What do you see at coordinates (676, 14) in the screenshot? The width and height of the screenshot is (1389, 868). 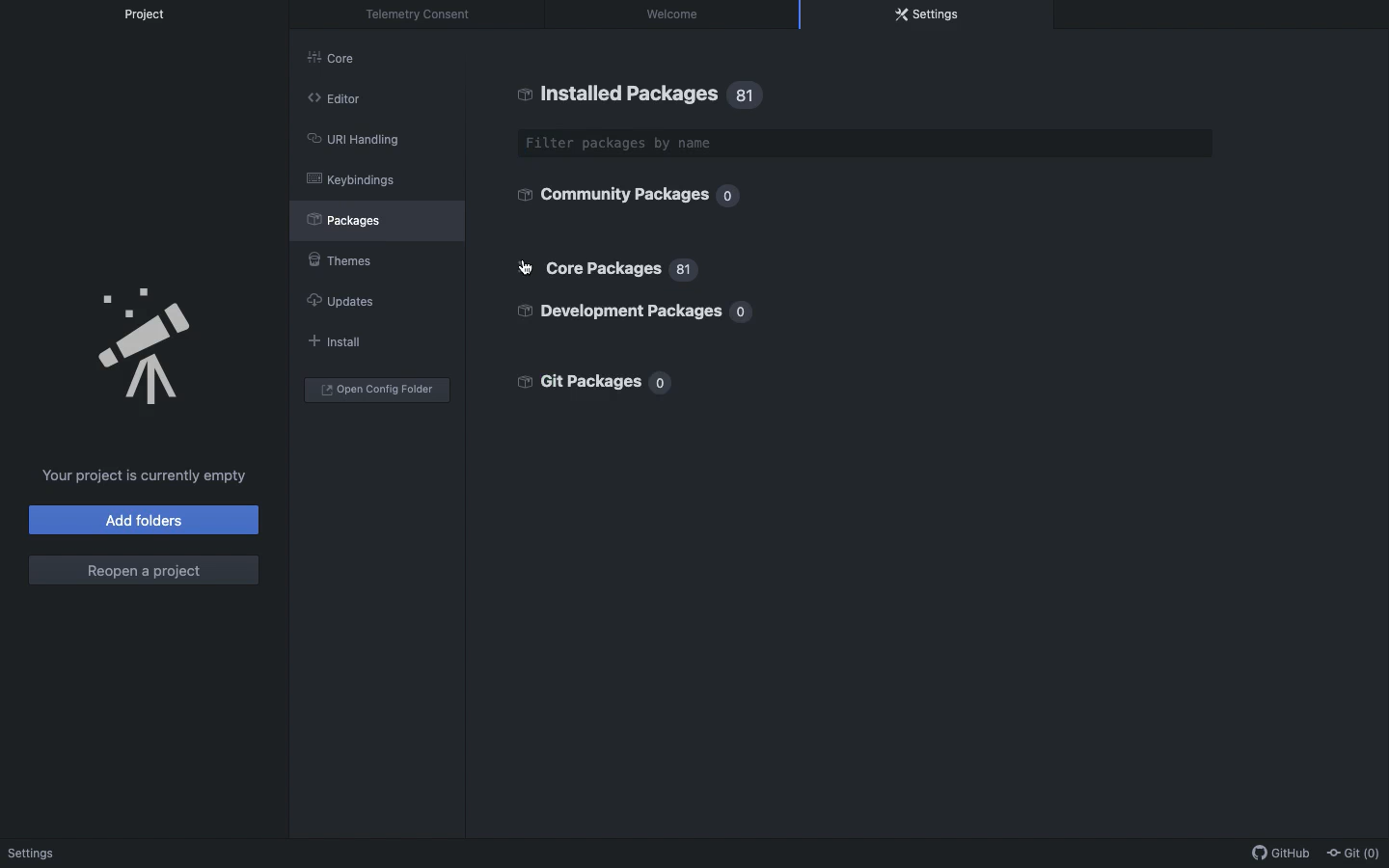 I see `Welcome` at bounding box center [676, 14].